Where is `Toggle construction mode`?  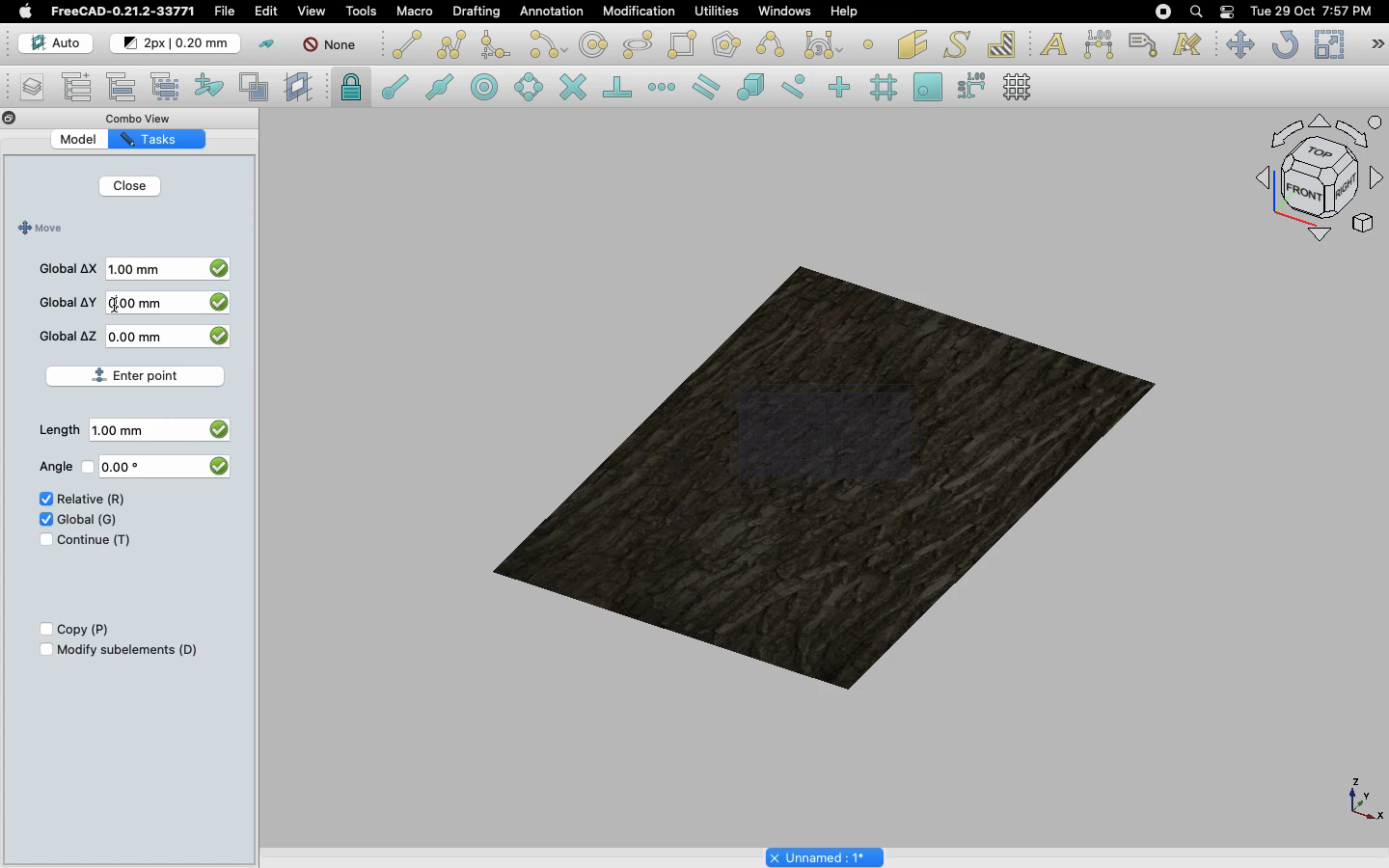 Toggle construction mode is located at coordinates (267, 44).